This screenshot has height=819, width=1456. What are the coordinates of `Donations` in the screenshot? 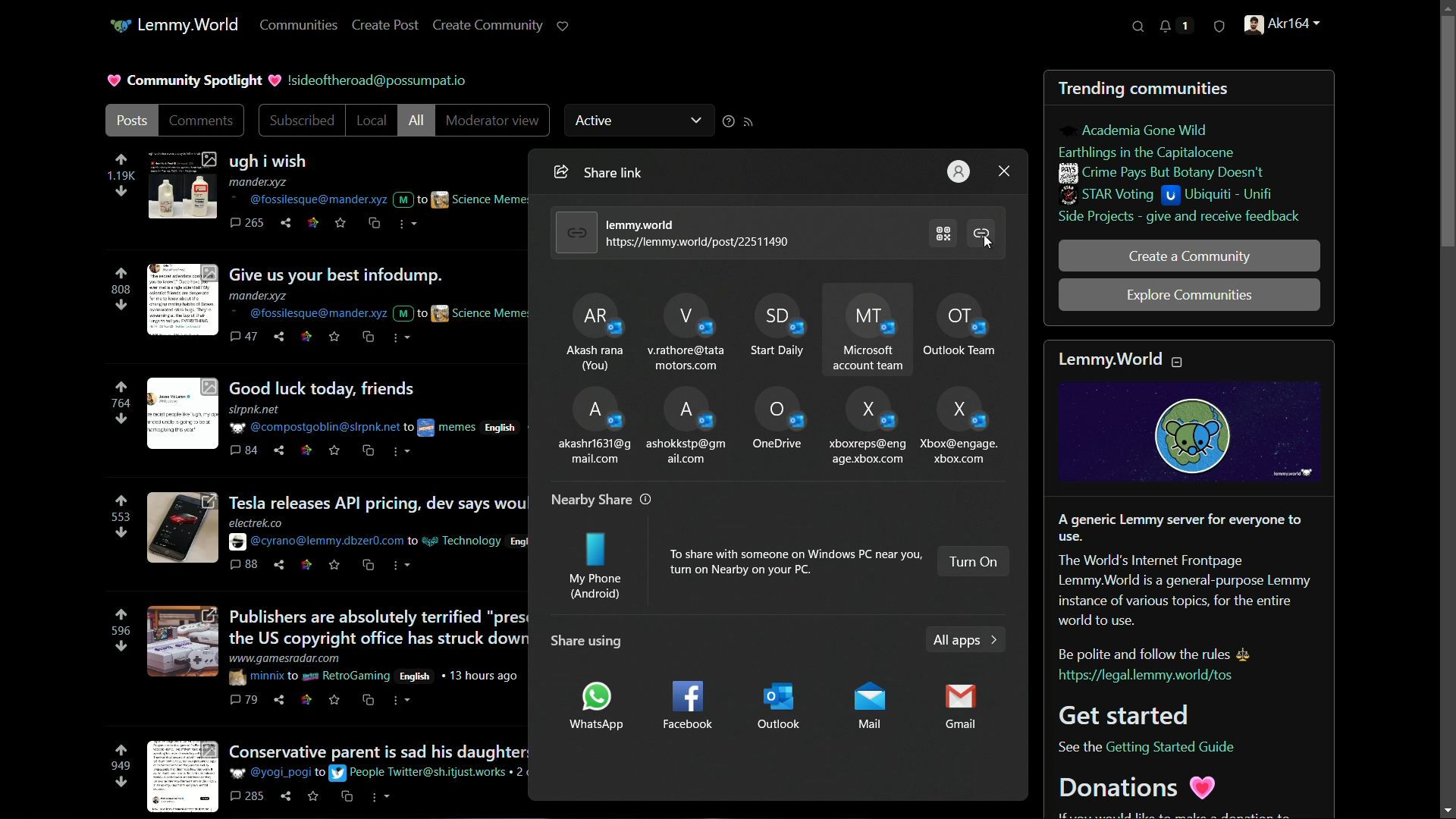 It's located at (1141, 787).